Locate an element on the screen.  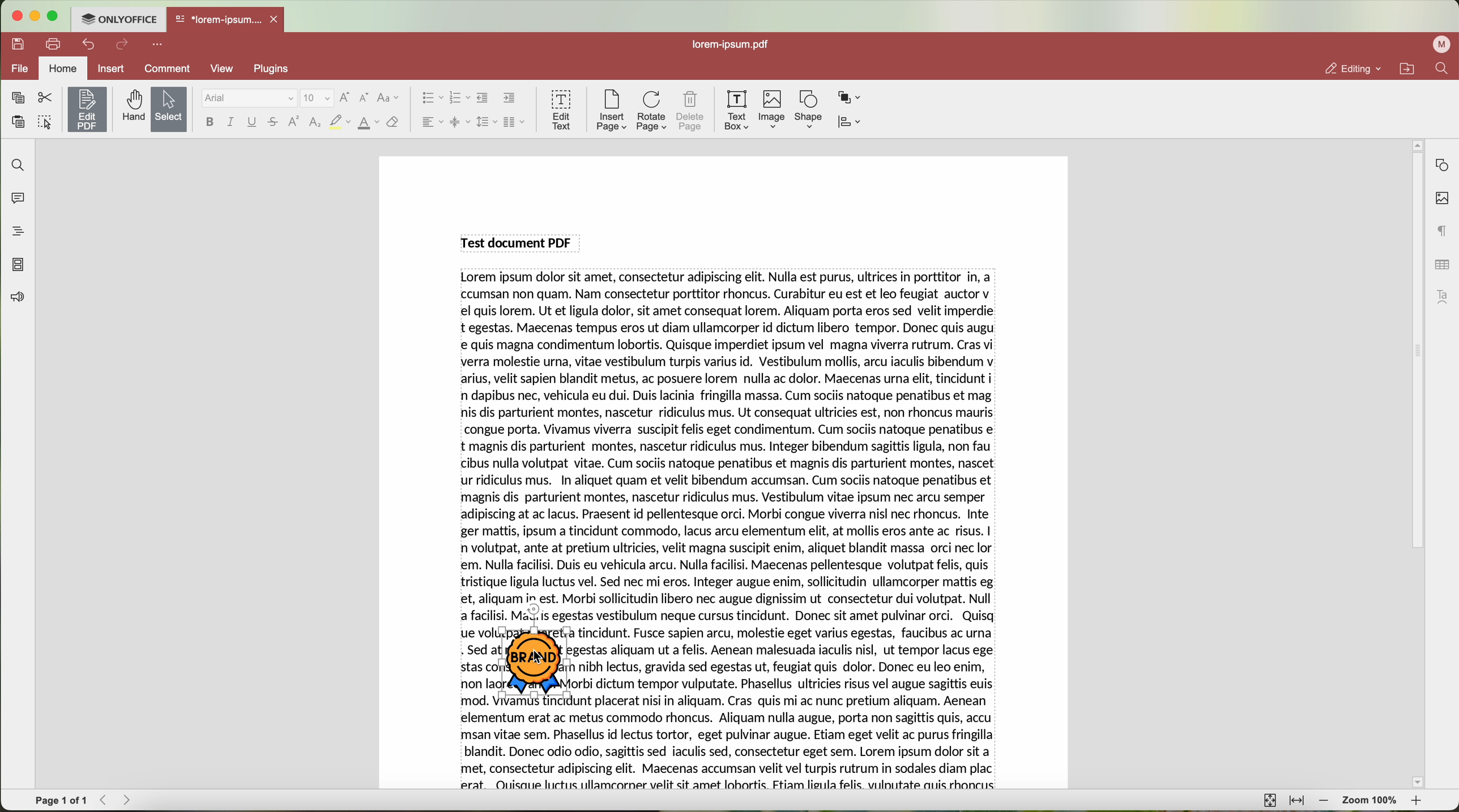
Lorem ipsum dolor sit amet, consectetur adipiscing elit. Nulla est purus, ultrices in porttitor in, a
ccumsan non quam. Nam consectetur porttitor rhoncus. Curabitur eu est et leo feugiat auctor v

el quis lorem. Ut et ligula dolor, sit amet consequat lorem. Aliquam porta eros sed velit imperdie
t egestas. Maecenas tempus eros ut diam ullamcorper id dictum libero tempor. Donec quis augu
e quis magna condimentum lobortis. Quisque imperdiet ipsum vel magna viverra rutrum. Cras vi
verra molestie urna, vitae vestibulum turpis varius id. Vestibulum mollis, arcu iaculis bibendum v
arius, velit sapien blandit metus, ac posuere lorem nulla ac dolor. Maecenas urna elit, tincidunt i
n dapibus nec, vehicula eu dui. Duis lacinia fringilla massa. Cum sociis natoque penatibus et mag
nis dis parturient montes, nascetur ridiculus mus. Ut consequat ultricies est, non rhoncus mauris
congue porta. Vivamus viverra suscipit felis eget condimentum. Cum sociis natoque penatibus e
t magnis dis parturient montes, nascetur ridiculus mus. Integer bibendum sagittis ligula, non fau
cibus nulla volutpat vitae. Cum sociis natoque penatibus et magnis dis parturient montes, nascet
ur ridiculus mus. In aliquet quam et velit bibendum accumsan. Cum sociis natoque penatibus et
magnis dis parturient montes, nascetur ridiculus mus. Vestibulum vitae ipsum nec arcu semper

adipiscing at ac lacus. Praesent id pellentesque orci. Morbi congue viverra nisl nec rhoncus. Inte

ger mattis, ipsum a tincidunt commodo, lacus arcu elementum elit, at mollis eros ante ac risus. |
n volutpat, ante at pretium ultricies, velit magna suscipit enim, aliquet blandit massa orci nec lor
em. Nulla facilisi. Duis eu vehicula arcu. Nulla facilisi. Maecenas pellentesque volutpat felis, quis

tristique ligula luctus vel. Sed nec mi eros. Integer augue enim, sollicitudin ullamcorper mattis eg
et, aliquam ir est. Morbi sollicitudin libero nec augue dignissim ut consectetur dui volutpat. Null
a facilisi. Mais egestas vestibulum neque cursus tincidunt. Donec sit amet pulvinar orci. Quisq is located at coordinates (731, 448).